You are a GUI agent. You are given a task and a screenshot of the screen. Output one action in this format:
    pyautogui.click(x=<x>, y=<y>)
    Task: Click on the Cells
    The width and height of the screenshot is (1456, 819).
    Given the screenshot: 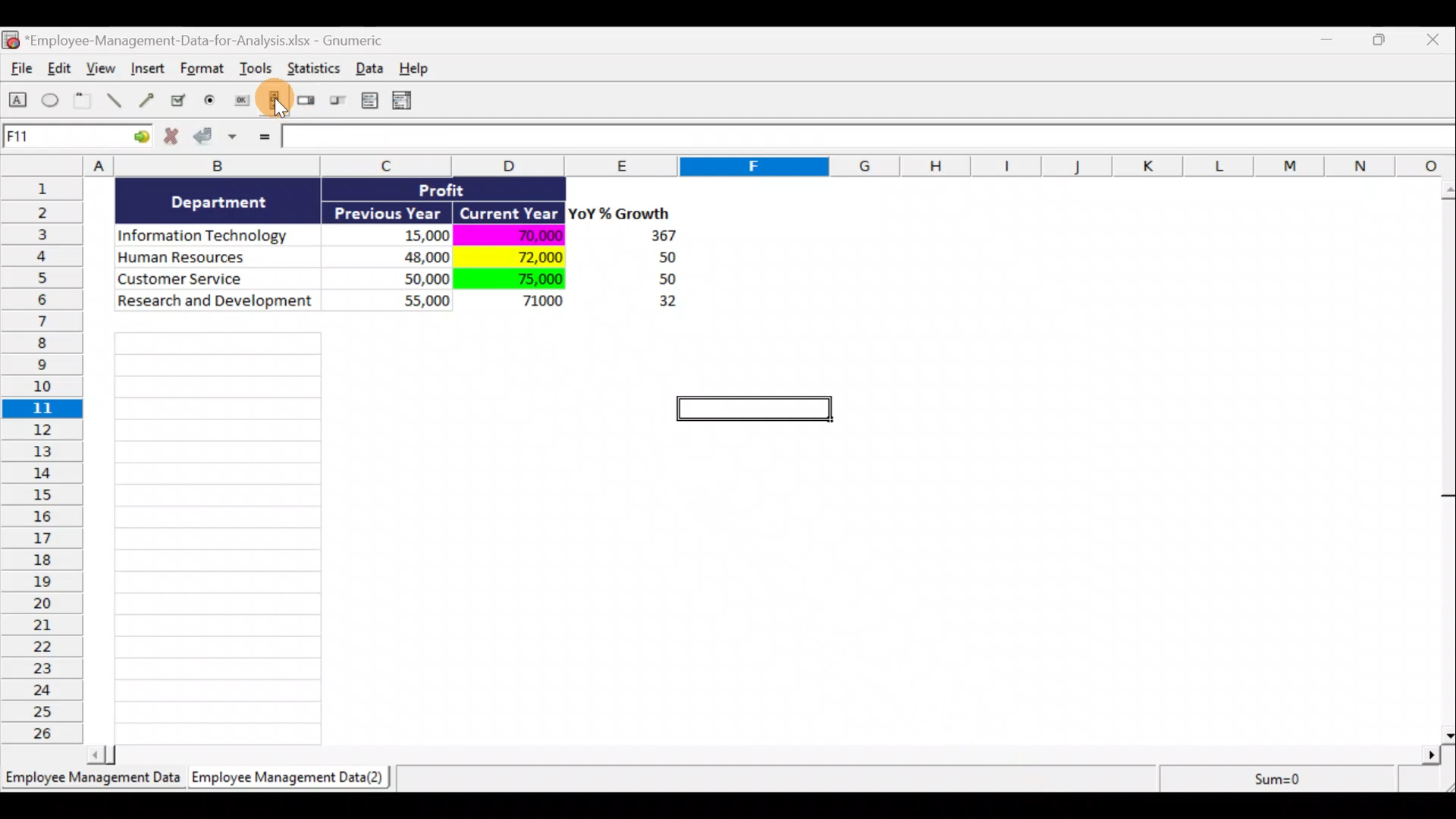 What is the action you would take?
    pyautogui.click(x=218, y=534)
    